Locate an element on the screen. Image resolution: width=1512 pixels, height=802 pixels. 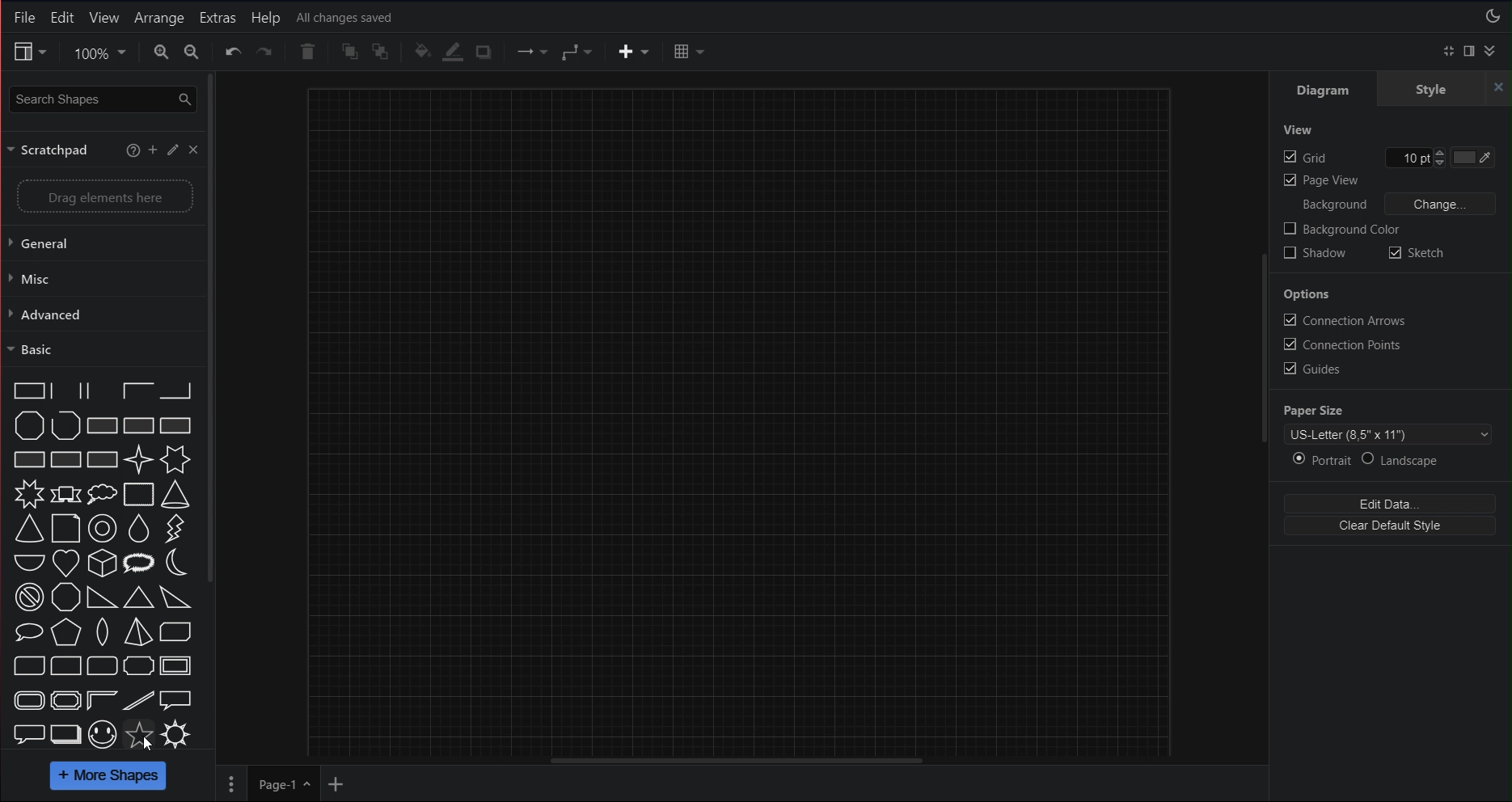
Undo is located at coordinates (233, 52).